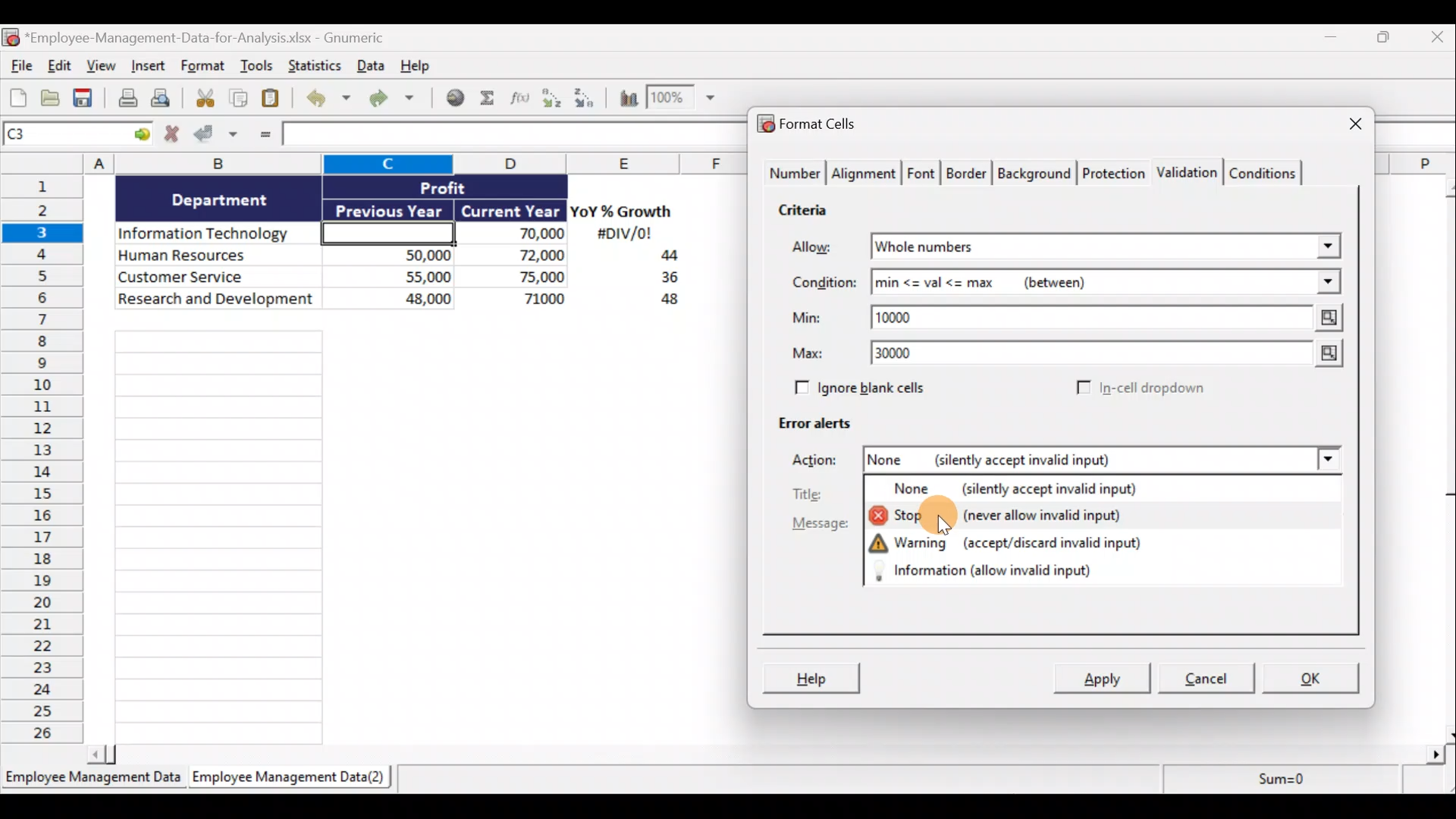 This screenshot has width=1456, height=819. What do you see at coordinates (771, 752) in the screenshot?
I see `Scroll bar` at bounding box center [771, 752].